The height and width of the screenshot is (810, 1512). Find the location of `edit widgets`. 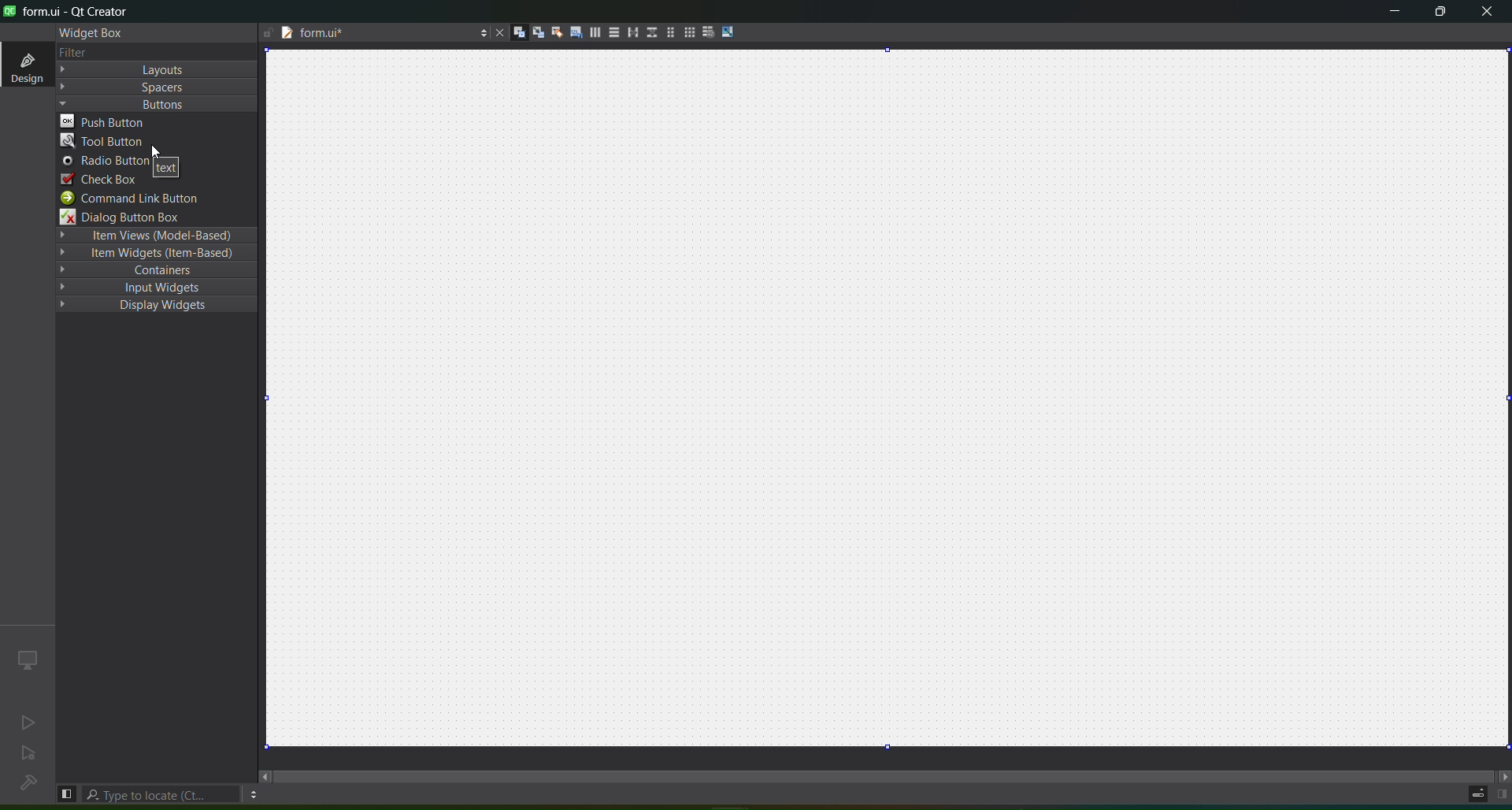

edit widgets is located at coordinates (515, 32).